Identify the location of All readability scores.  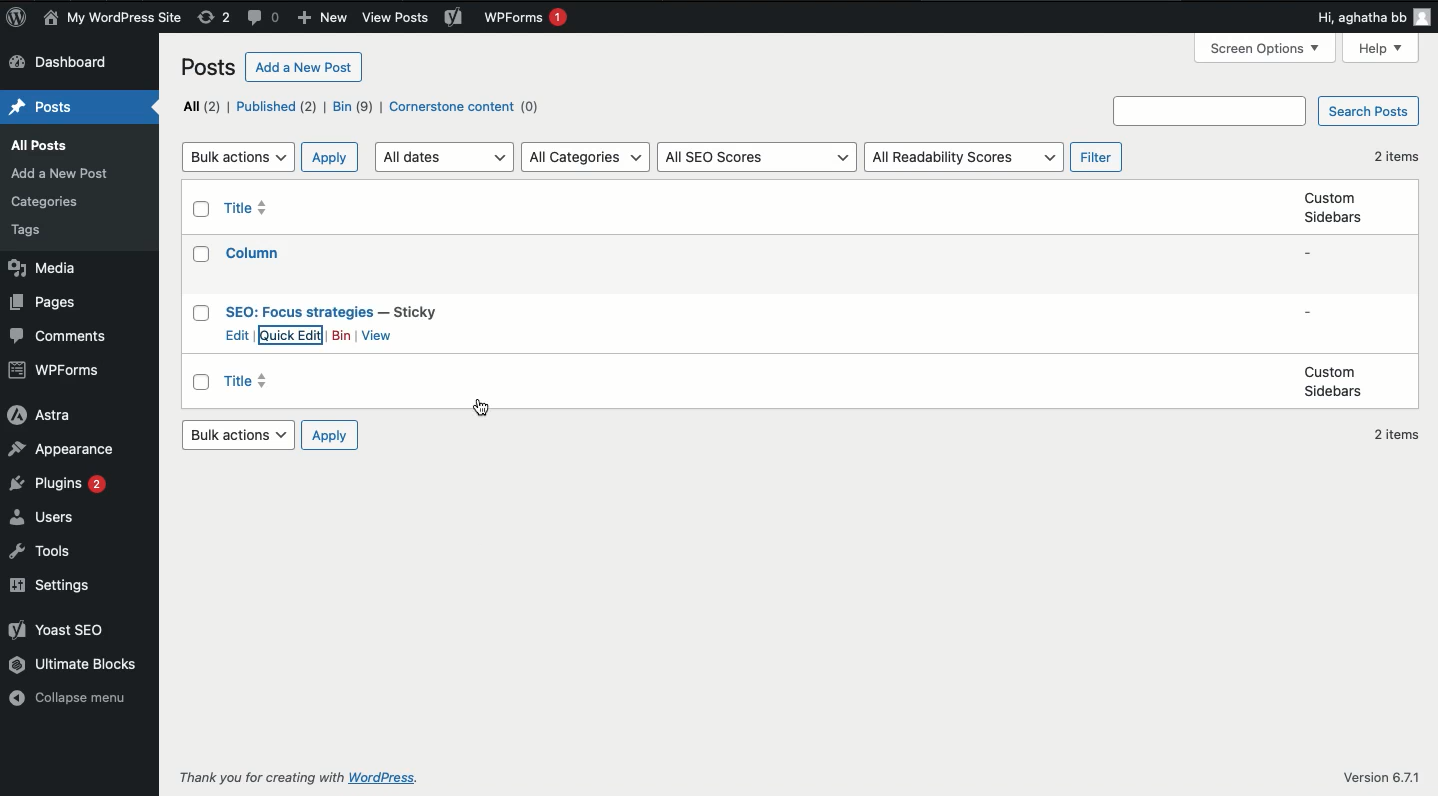
(963, 158).